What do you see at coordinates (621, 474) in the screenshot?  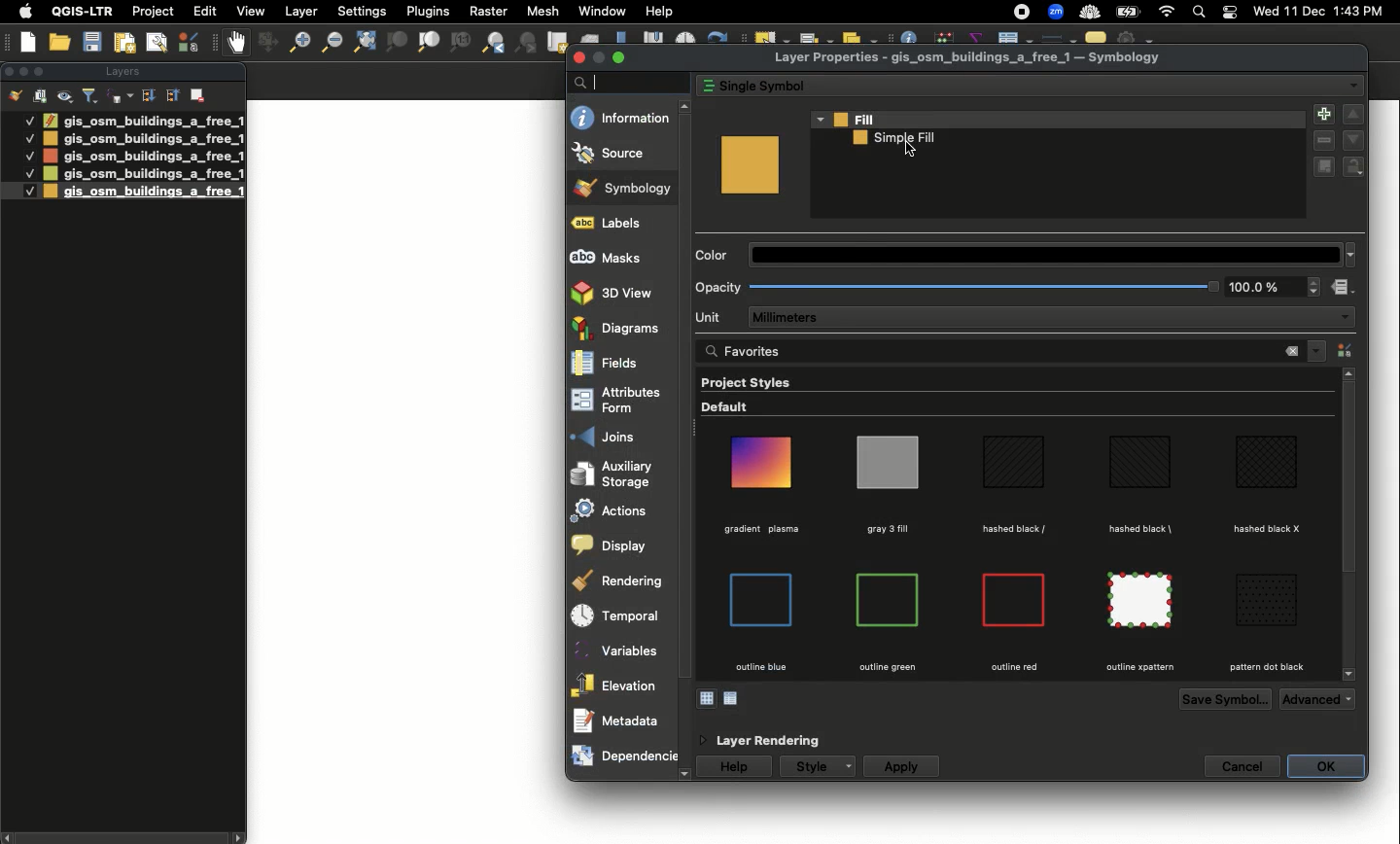 I see `Auxiliary storage` at bounding box center [621, 474].